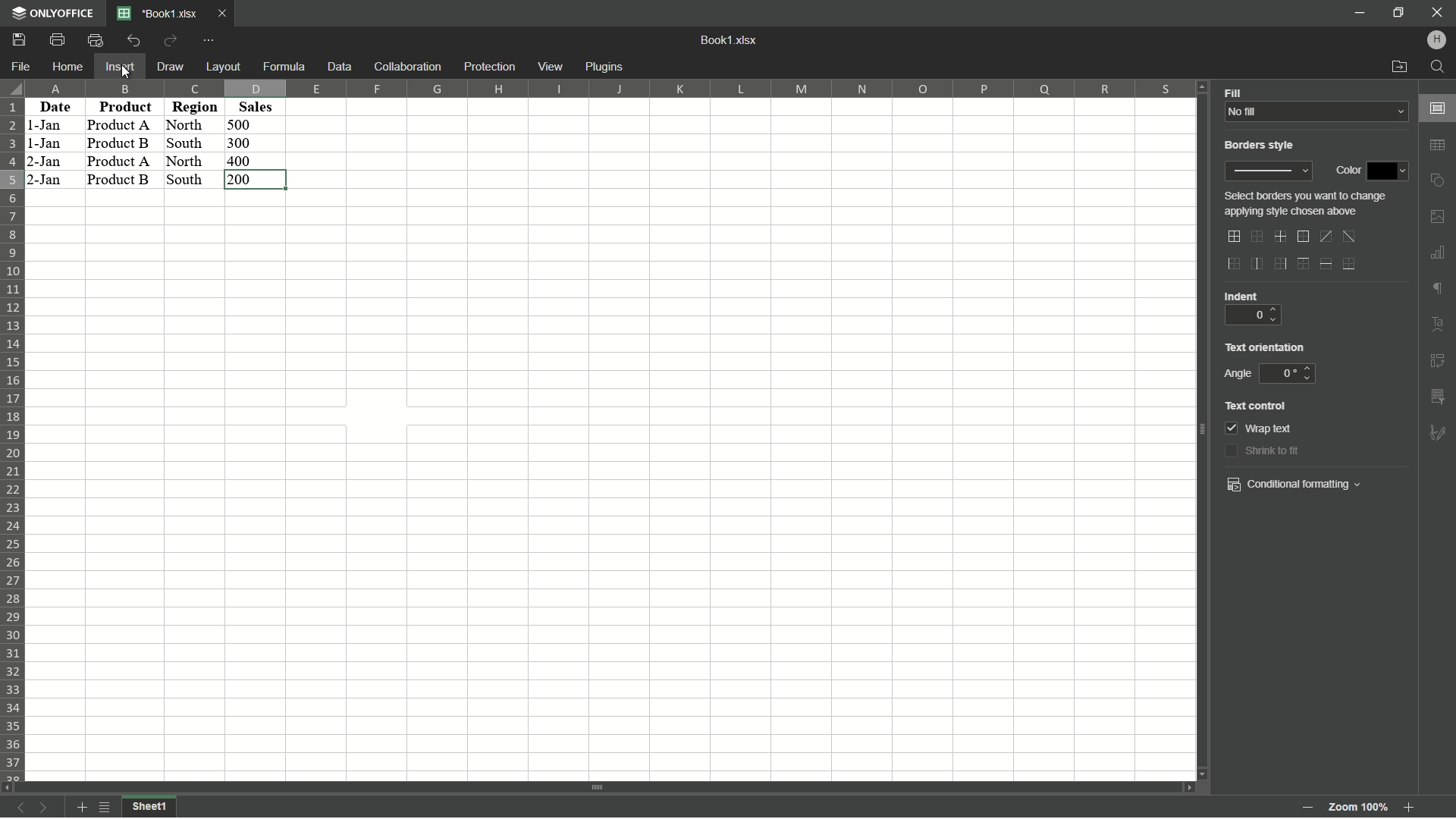  I want to click on Collaboration, so click(406, 67).